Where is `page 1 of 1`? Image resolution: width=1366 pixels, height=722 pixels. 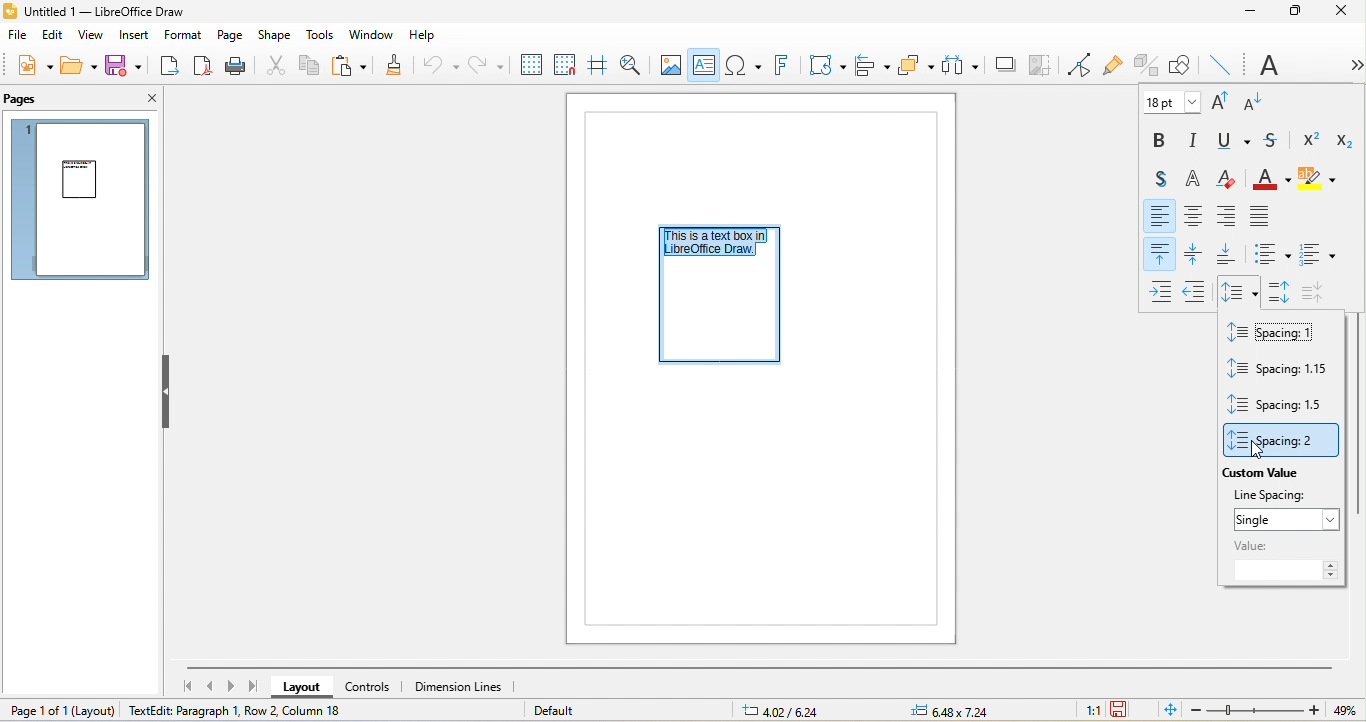 page 1 of 1 is located at coordinates (60, 712).